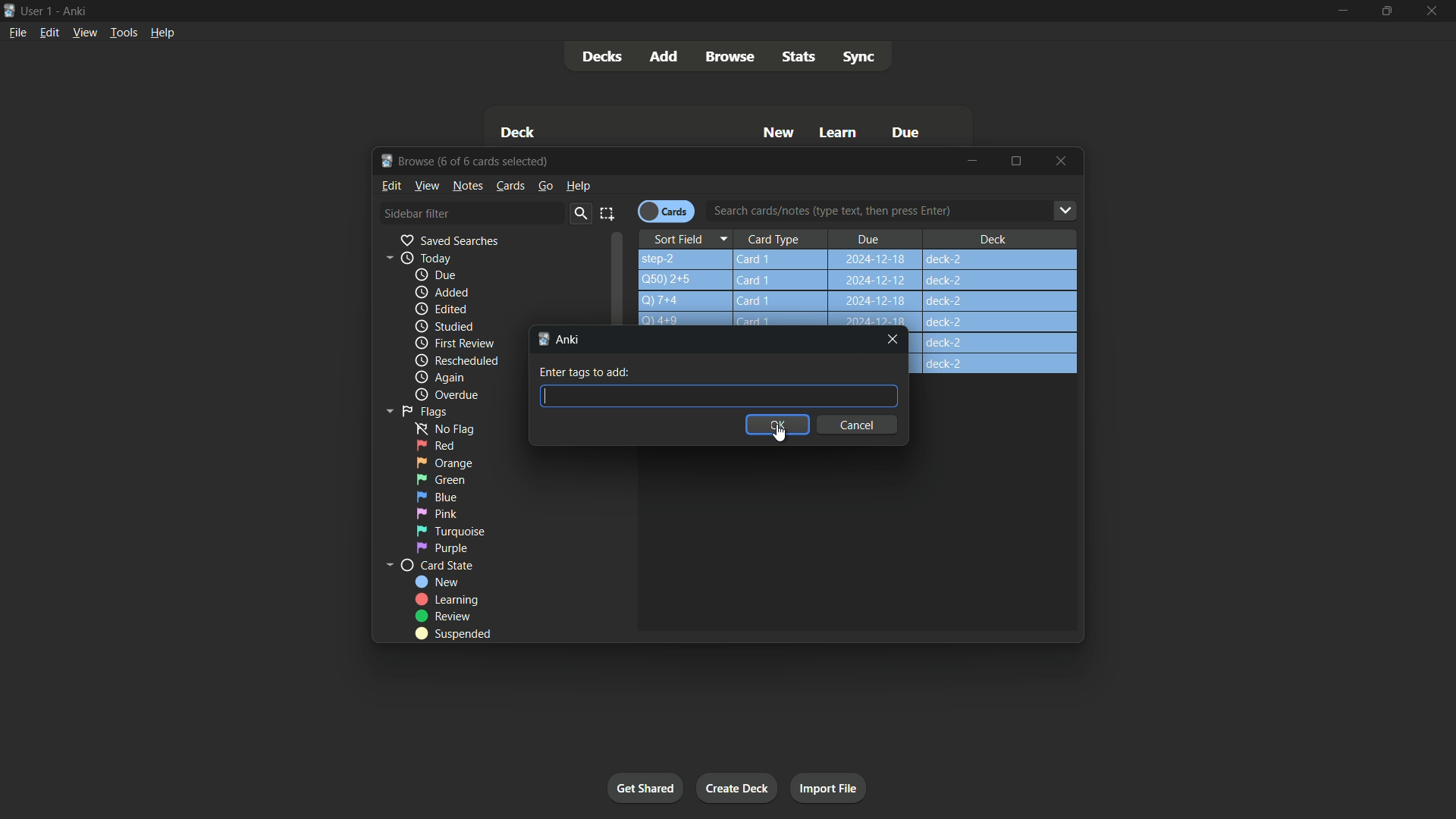  Describe the element at coordinates (440, 308) in the screenshot. I see ` edited` at that location.